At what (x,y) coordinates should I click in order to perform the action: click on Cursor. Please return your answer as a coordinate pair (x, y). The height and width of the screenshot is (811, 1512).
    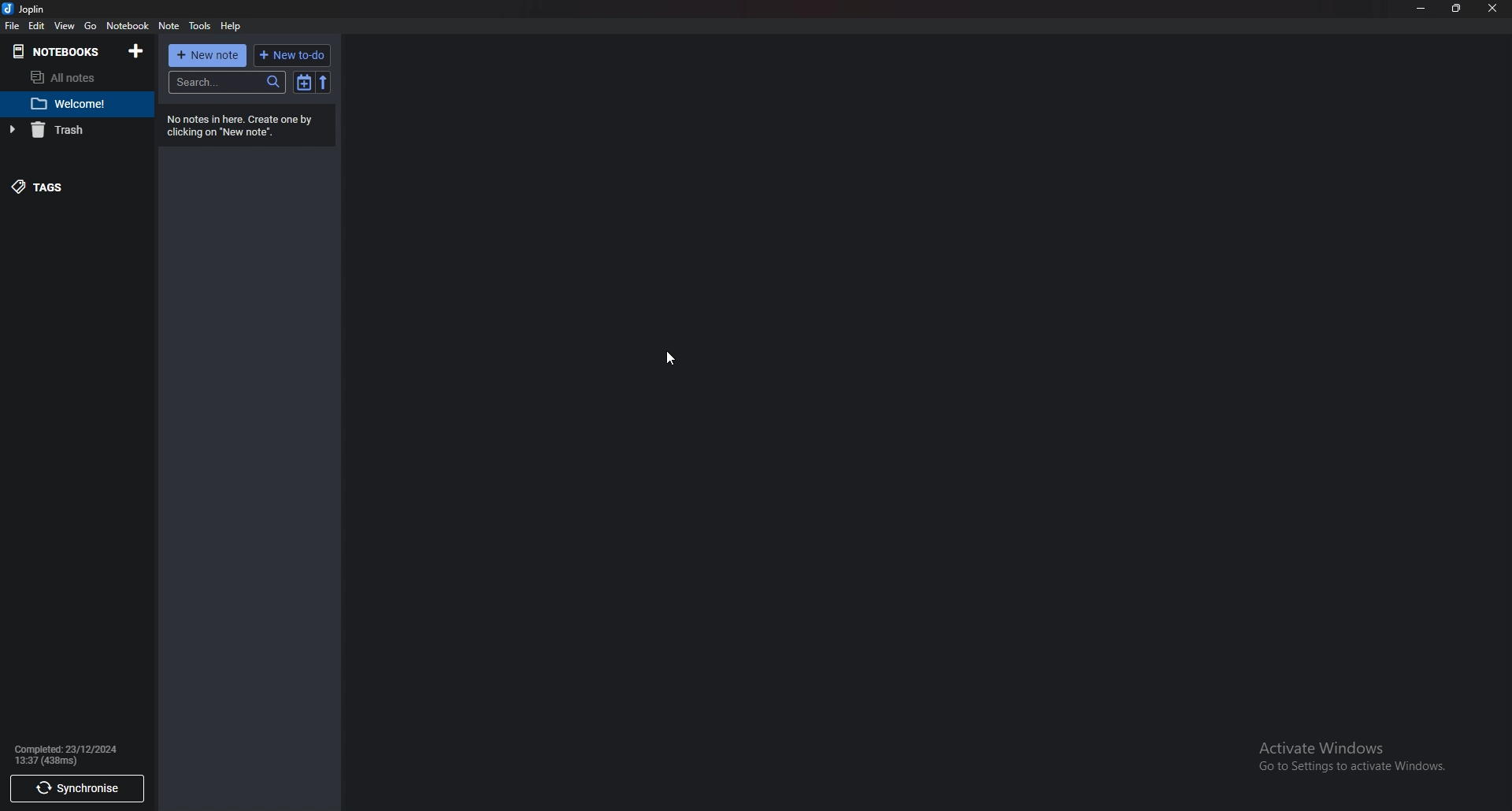
    Looking at the image, I should click on (671, 358).